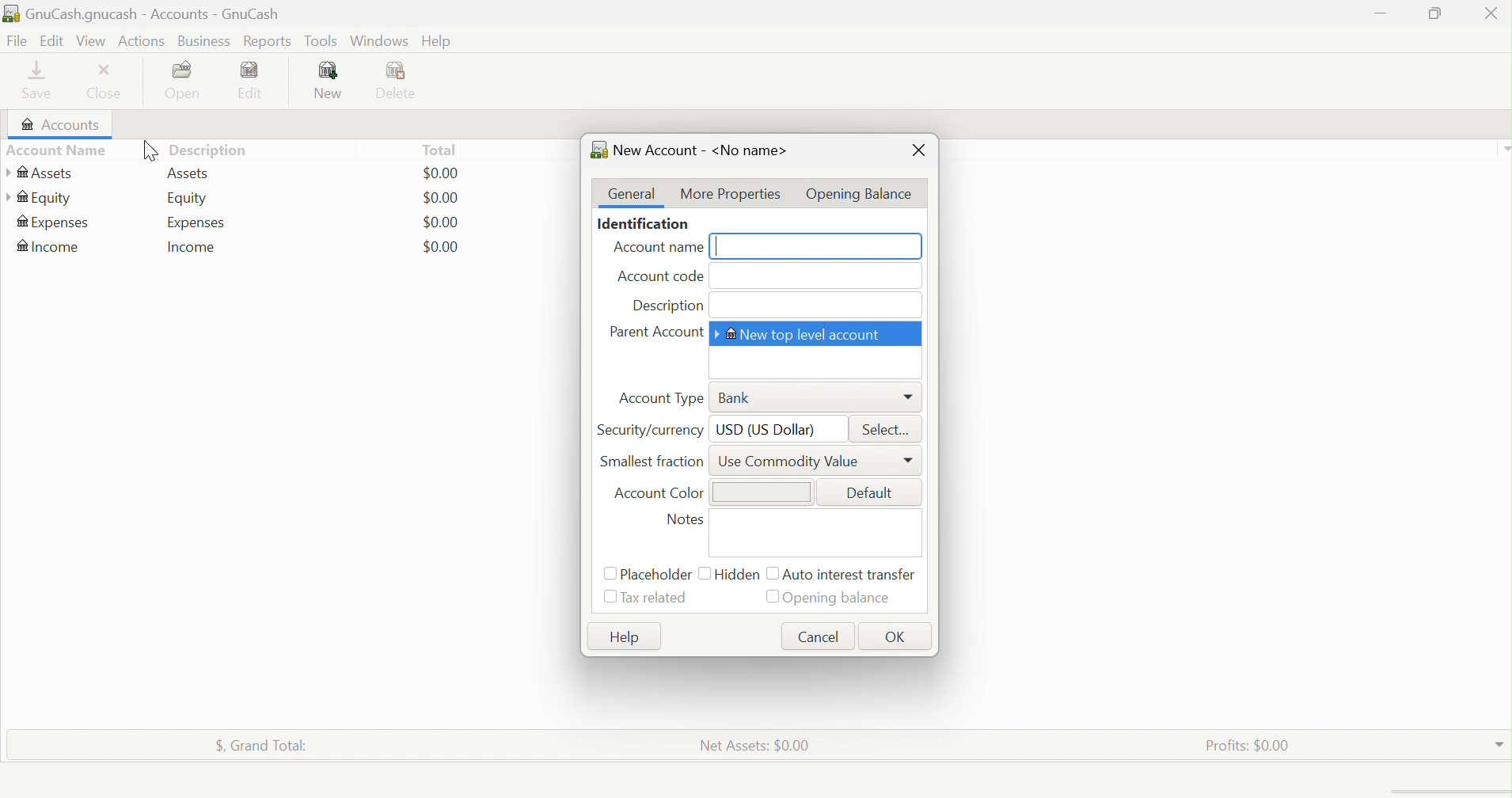  I want to click on Save, so click(42, 80).